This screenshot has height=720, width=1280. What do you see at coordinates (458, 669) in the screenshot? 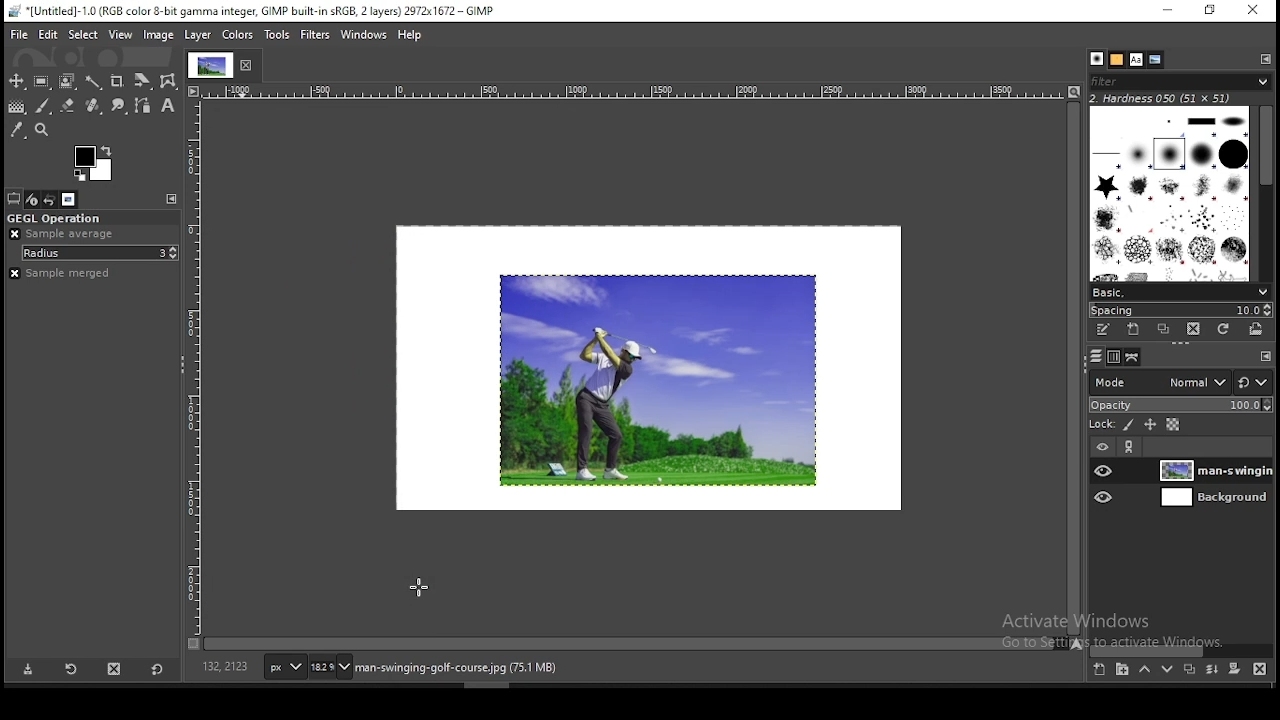
I see `man-swinging-golf-course.jpg (67.7 mb)` at bounding box center [458, 669].